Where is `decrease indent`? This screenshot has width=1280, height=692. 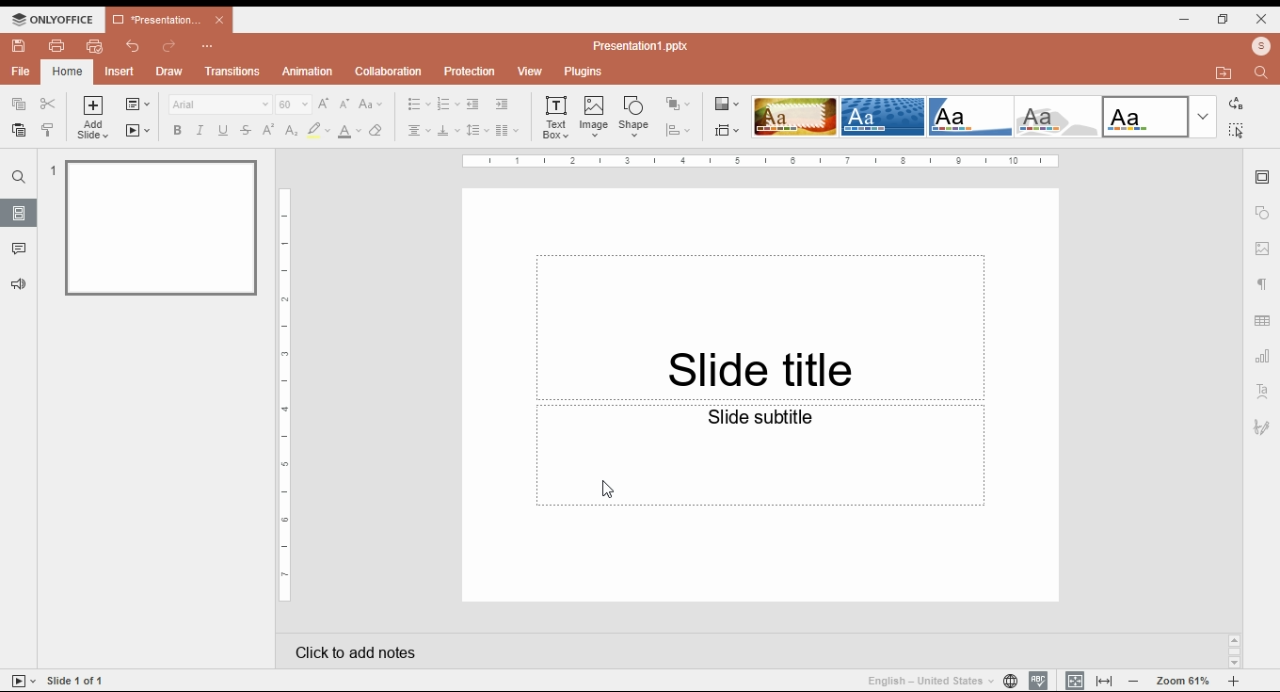 decrease indent is located at coordinates (472, 105).